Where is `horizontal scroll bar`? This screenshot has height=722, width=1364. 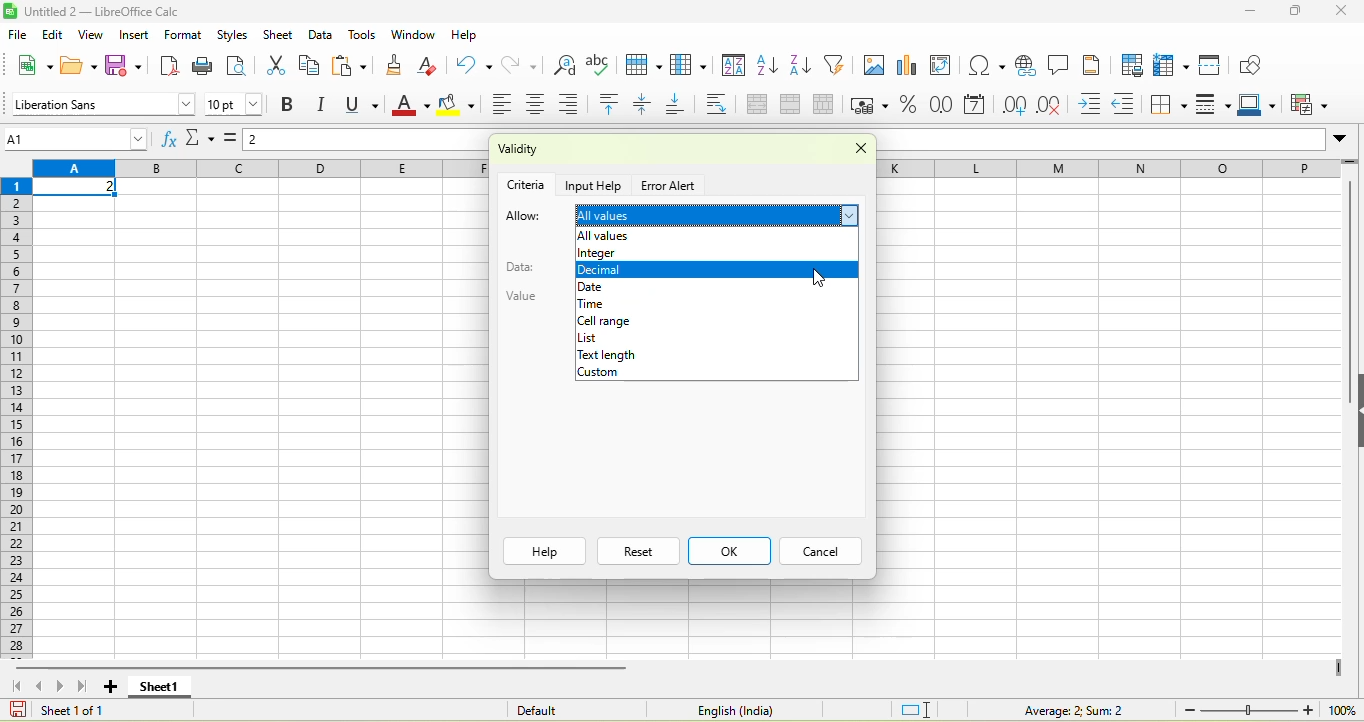 horizontal scroll bar is located at coordinates (324, 667).